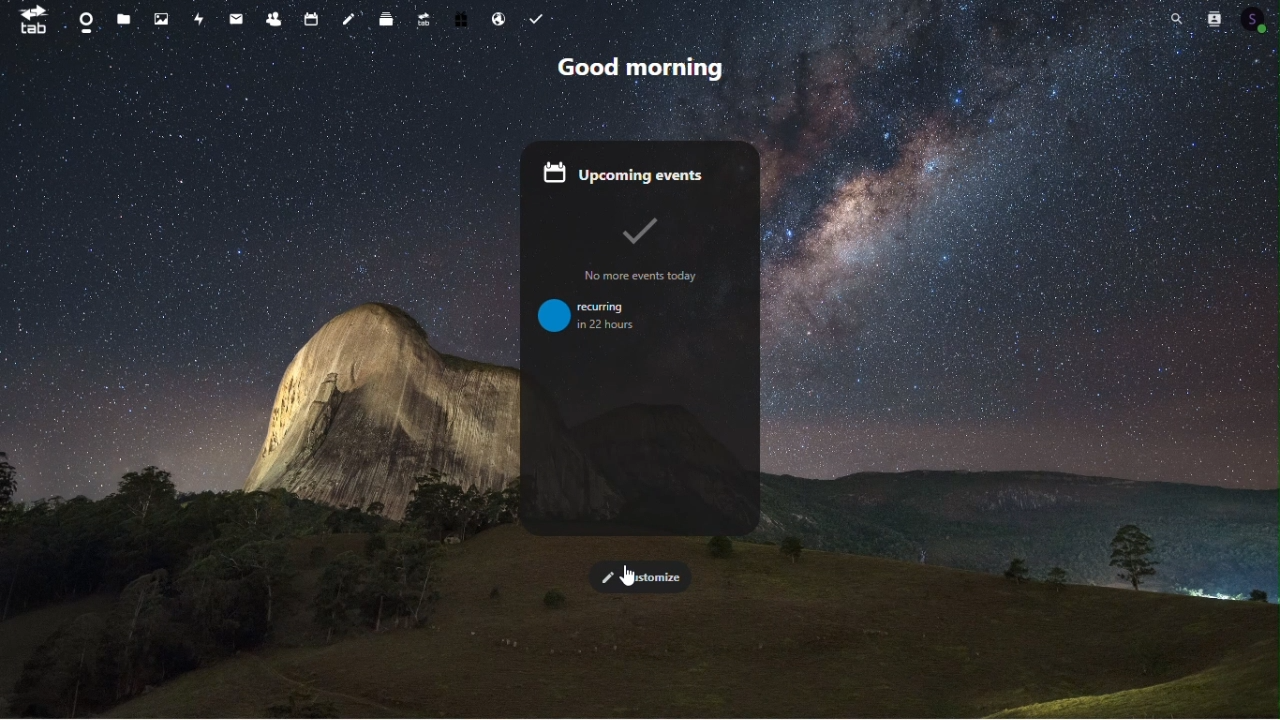  What do you see at coordinates (463, 16) in the screenshot?
I see `Free trial` at bounding box center [463, 16].